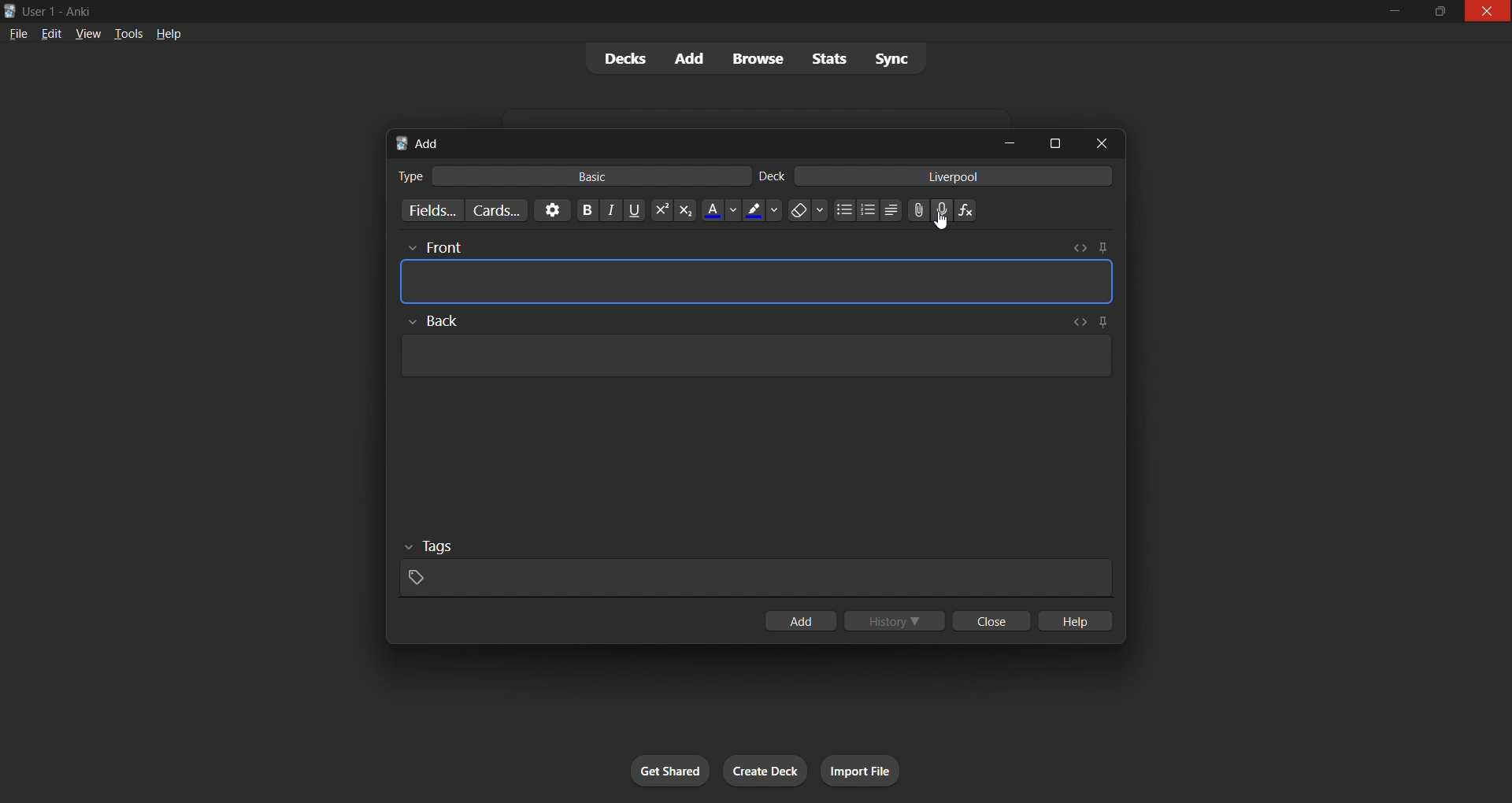 Image resolution: width=1512 pixels, height=803 pixels. I want to click on maximize, so click(1052, 140).